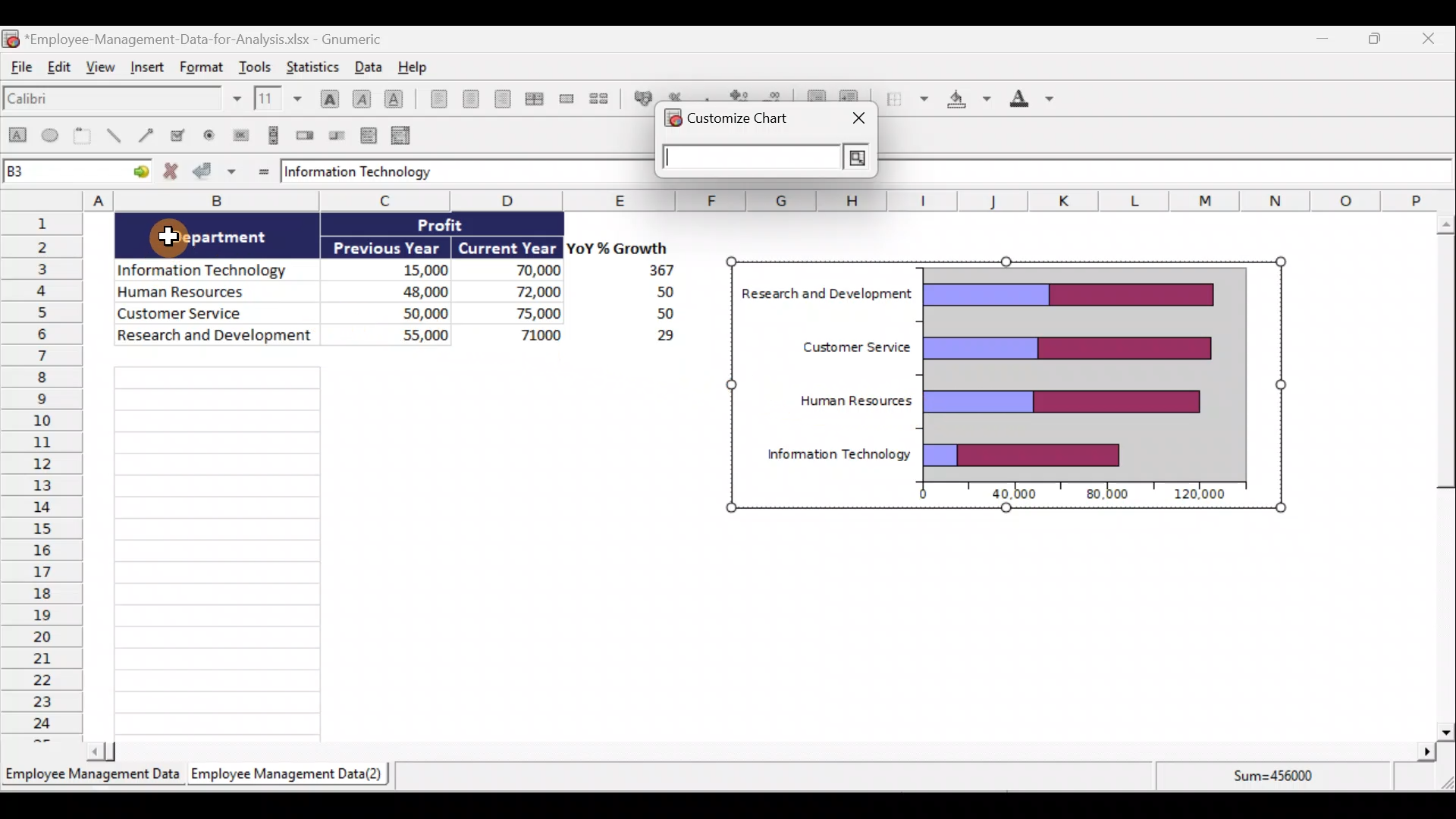 This screenshot has width=1456, height=819. What do you see at coordinates (1169, 173) in the screenshot?
I see `Formula bar` at bounding box center [1169, 173].